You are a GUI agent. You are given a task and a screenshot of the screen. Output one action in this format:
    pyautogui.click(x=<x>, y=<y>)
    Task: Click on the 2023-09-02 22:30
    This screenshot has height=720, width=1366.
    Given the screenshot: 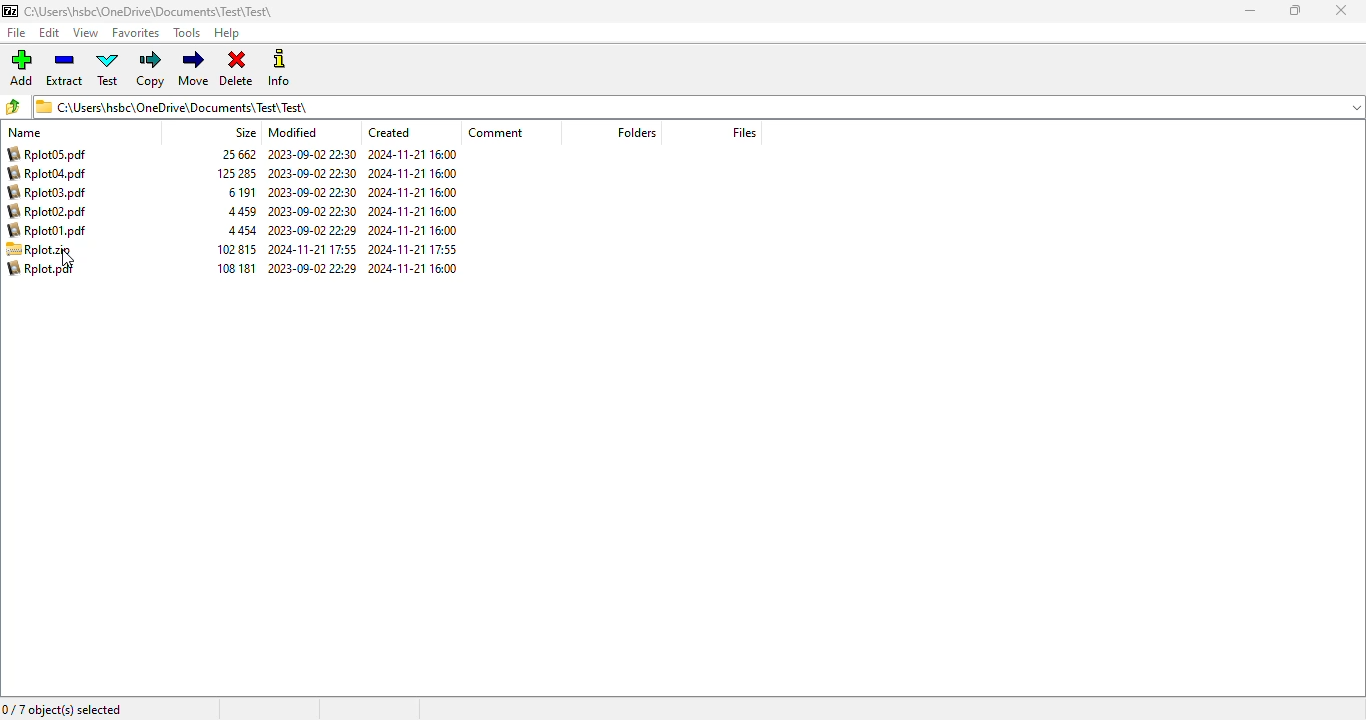 What is the action you would take?
    pyautogui.click(x=312, y=173)
    